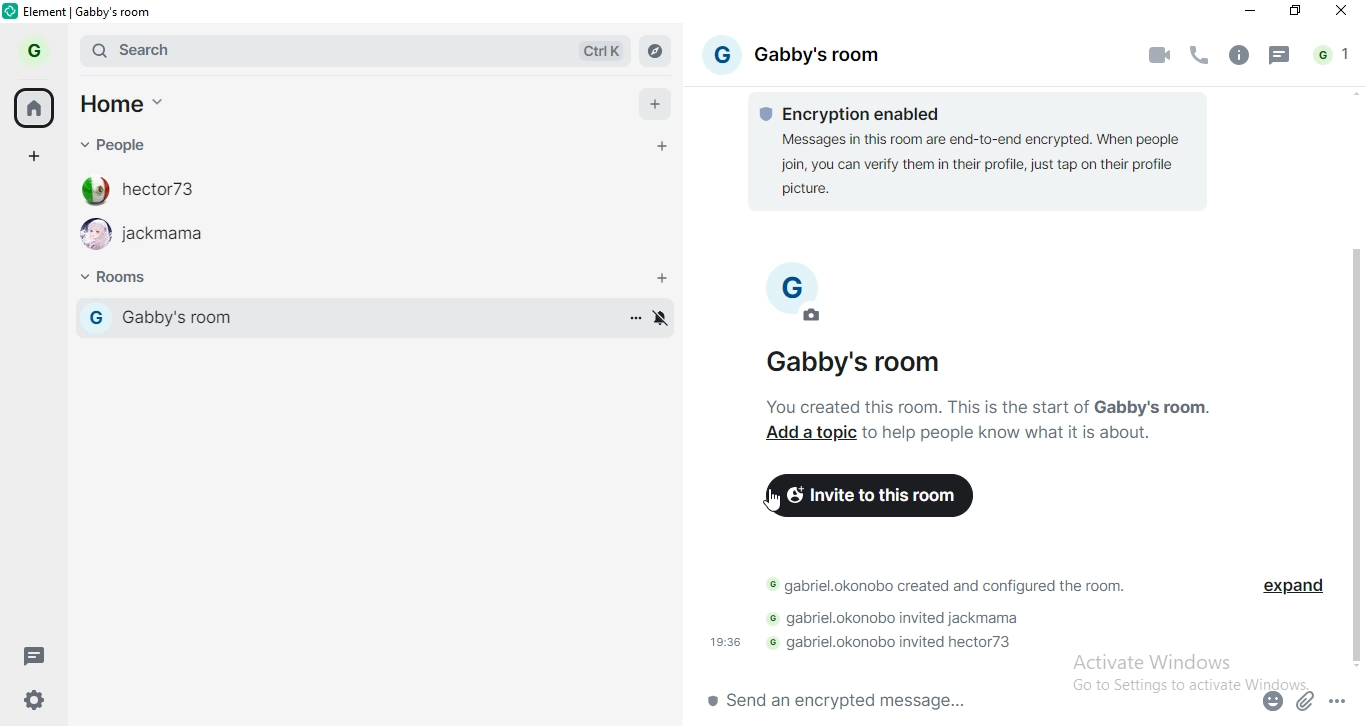 The width and height of the screenshot is (1366, 726). What do you see at coordinates (1284, 52) in the screenshot?
I see `message` at bounding box center [1284, 52].